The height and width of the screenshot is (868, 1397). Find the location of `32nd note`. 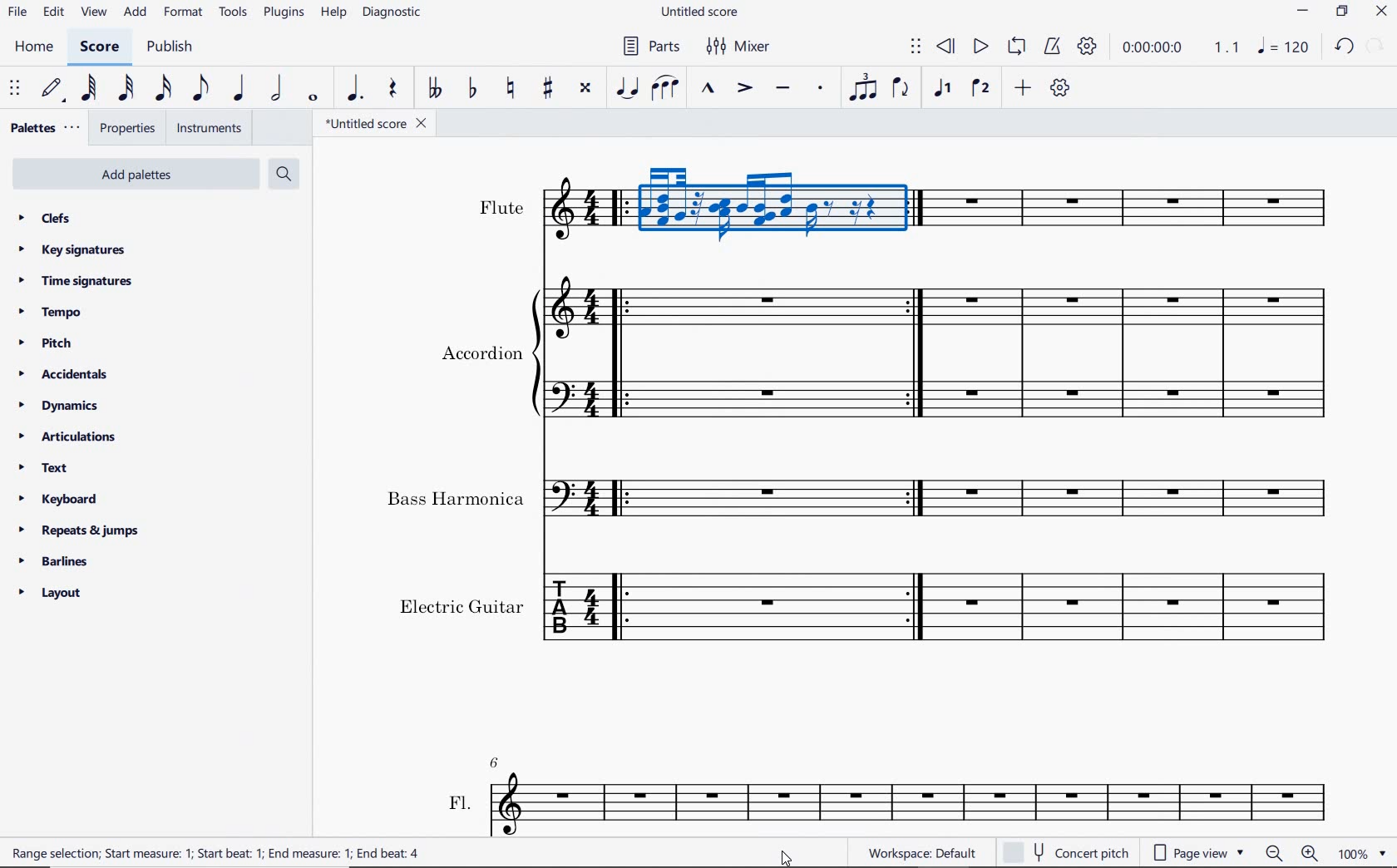

32nd note is located at coordinates (126, 91).